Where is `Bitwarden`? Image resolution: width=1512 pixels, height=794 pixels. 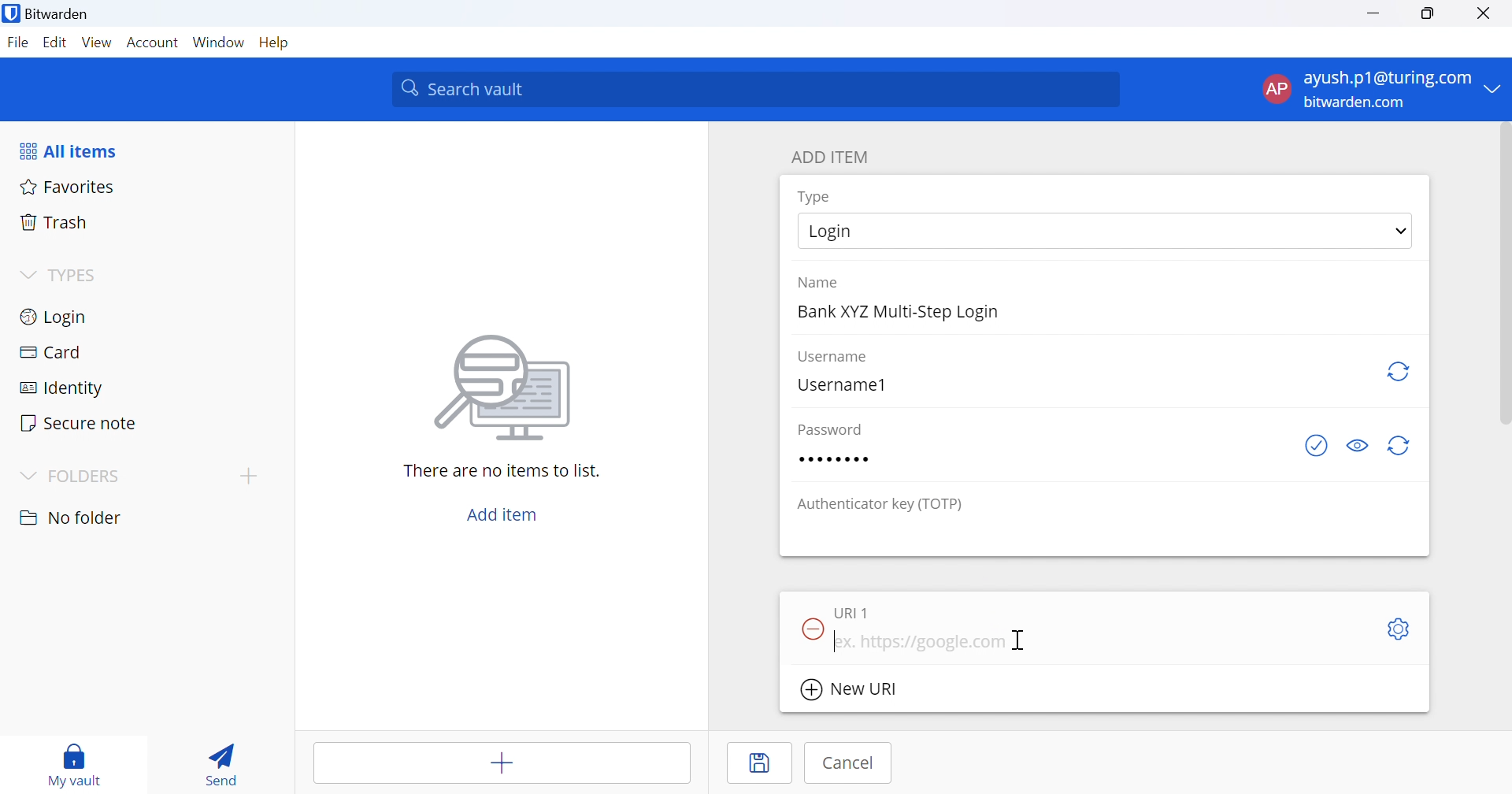
Bitwarden is located at coordinates (50, 17).